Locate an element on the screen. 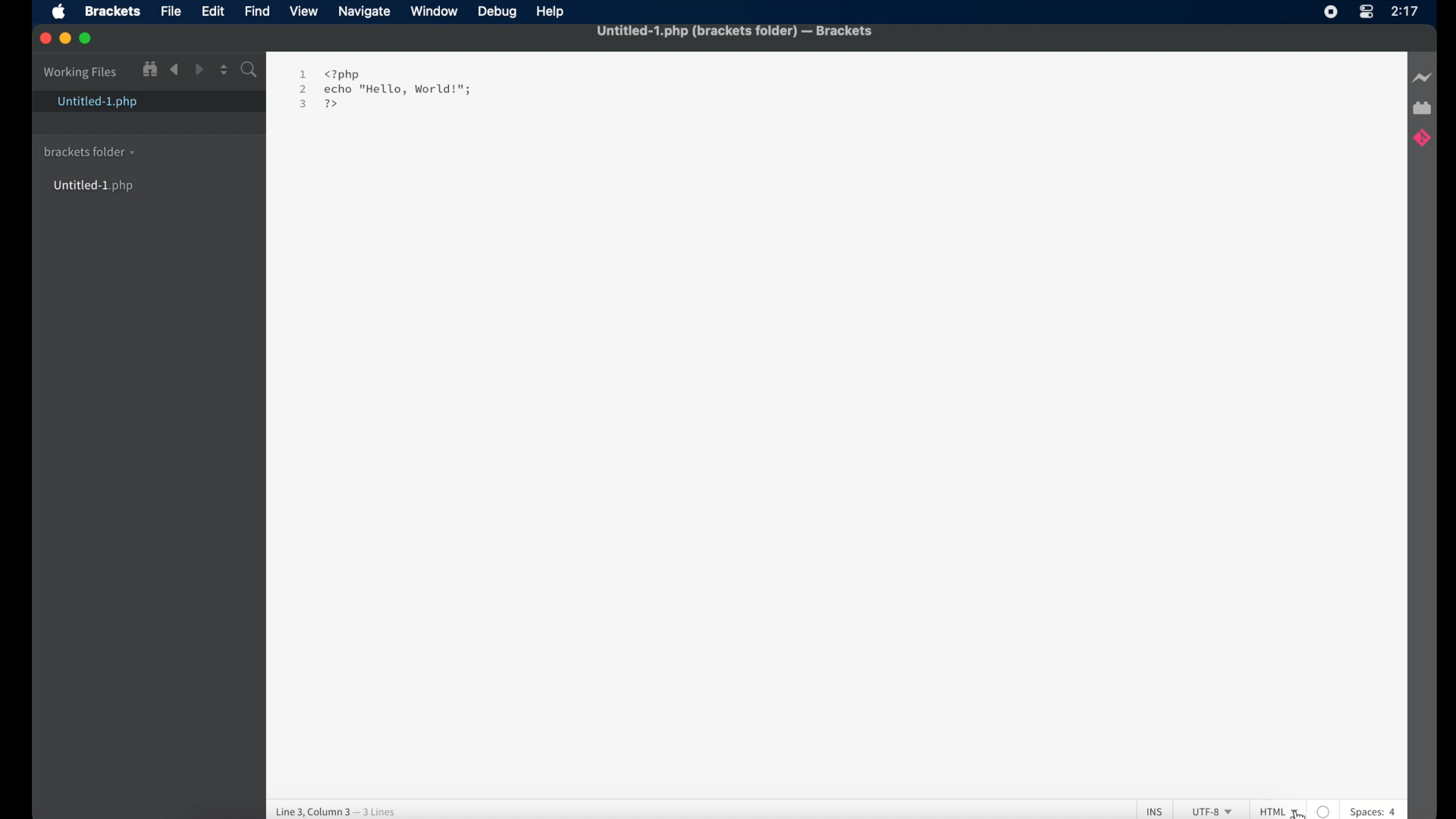  minimize is located at coordinates (65, 39).